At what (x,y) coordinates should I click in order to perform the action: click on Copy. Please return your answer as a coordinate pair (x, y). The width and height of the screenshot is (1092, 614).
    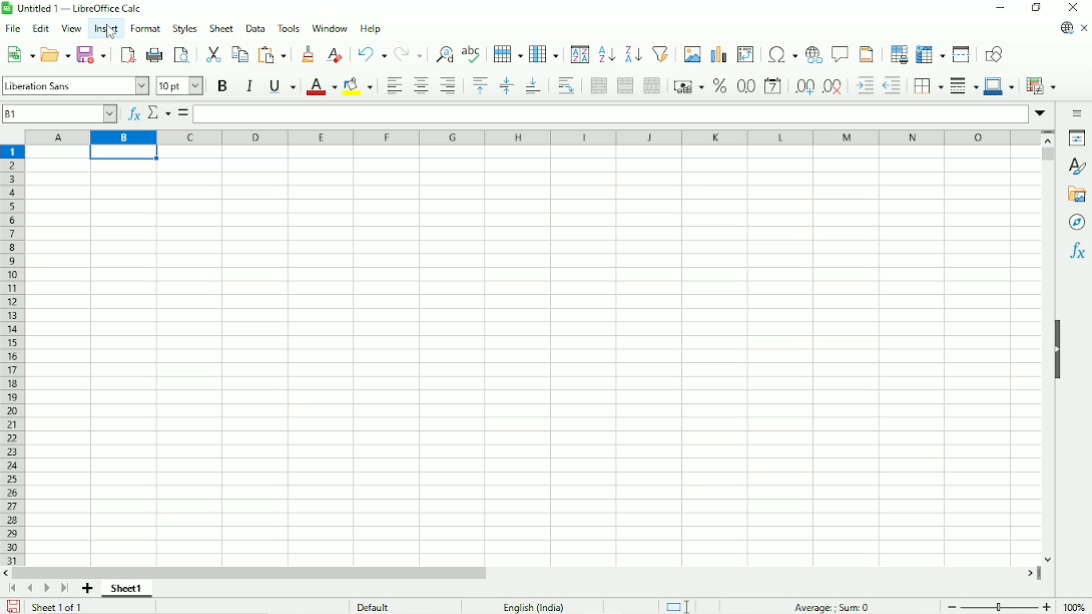
    Looking at the image, I should click on (240, 53).